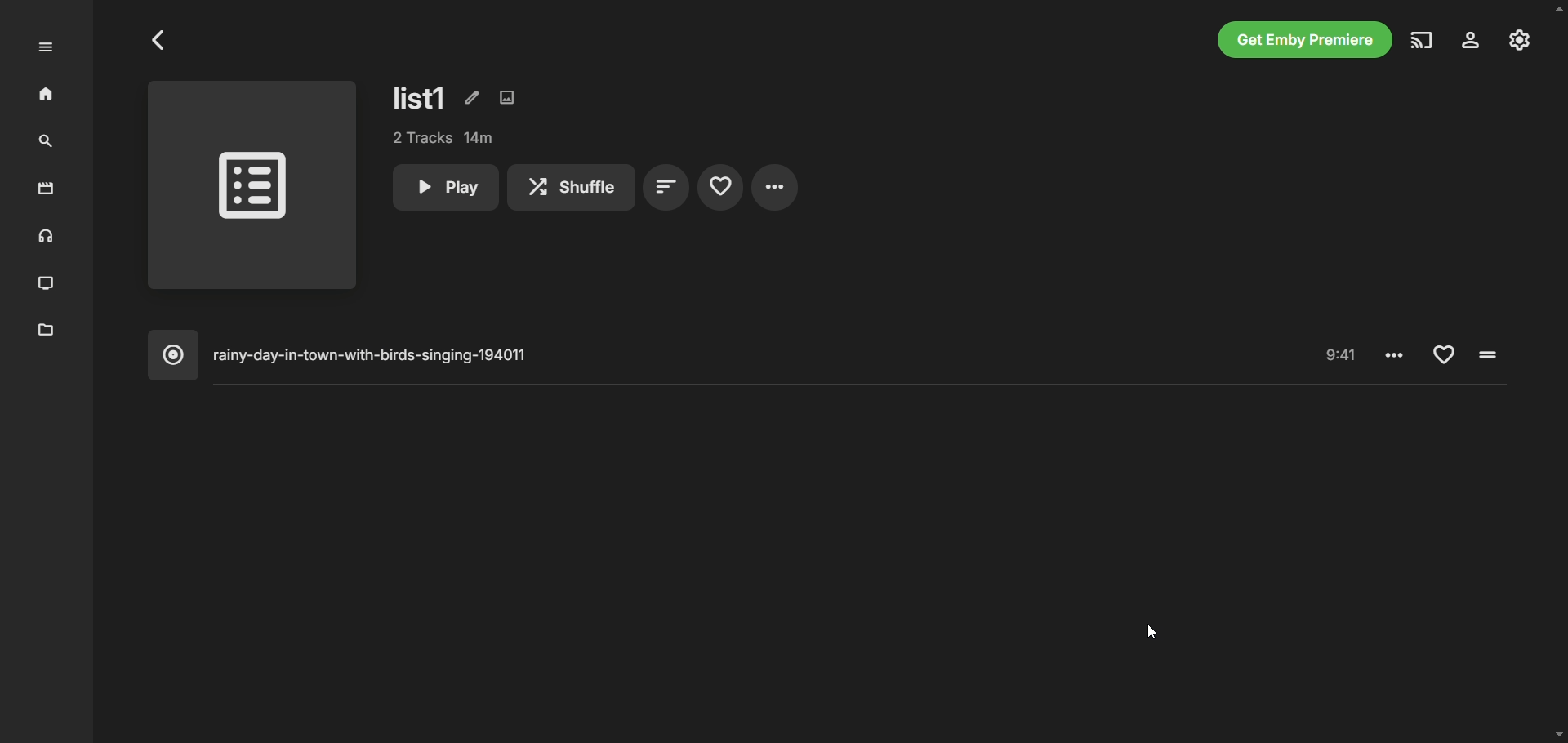  I want to click on tracks, so click(444, 138).